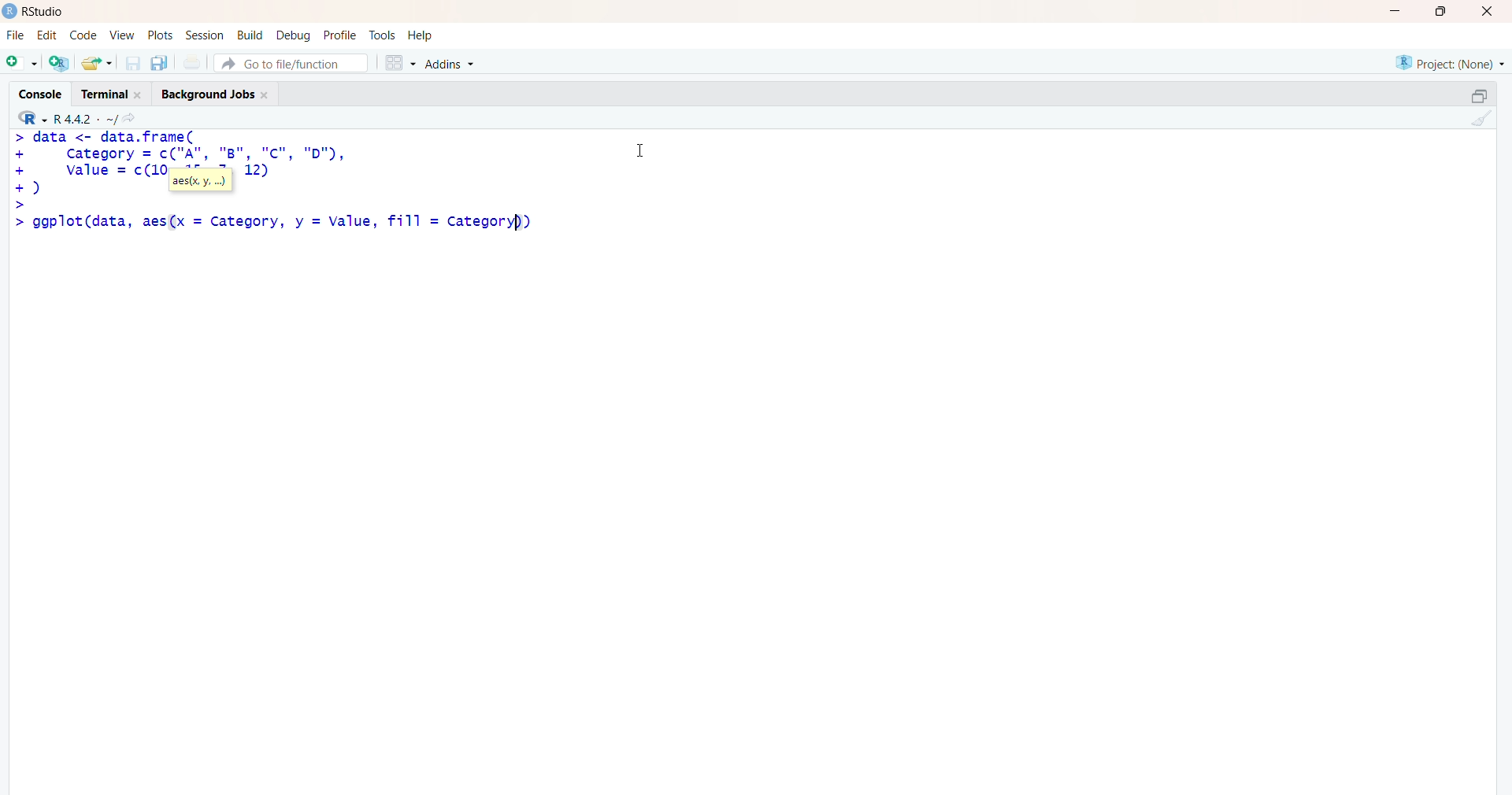 The height and width of the screenshot is (795, 1512). Describe the element at coordinates (249, 35) in the screenshot. I see `build` at that location.